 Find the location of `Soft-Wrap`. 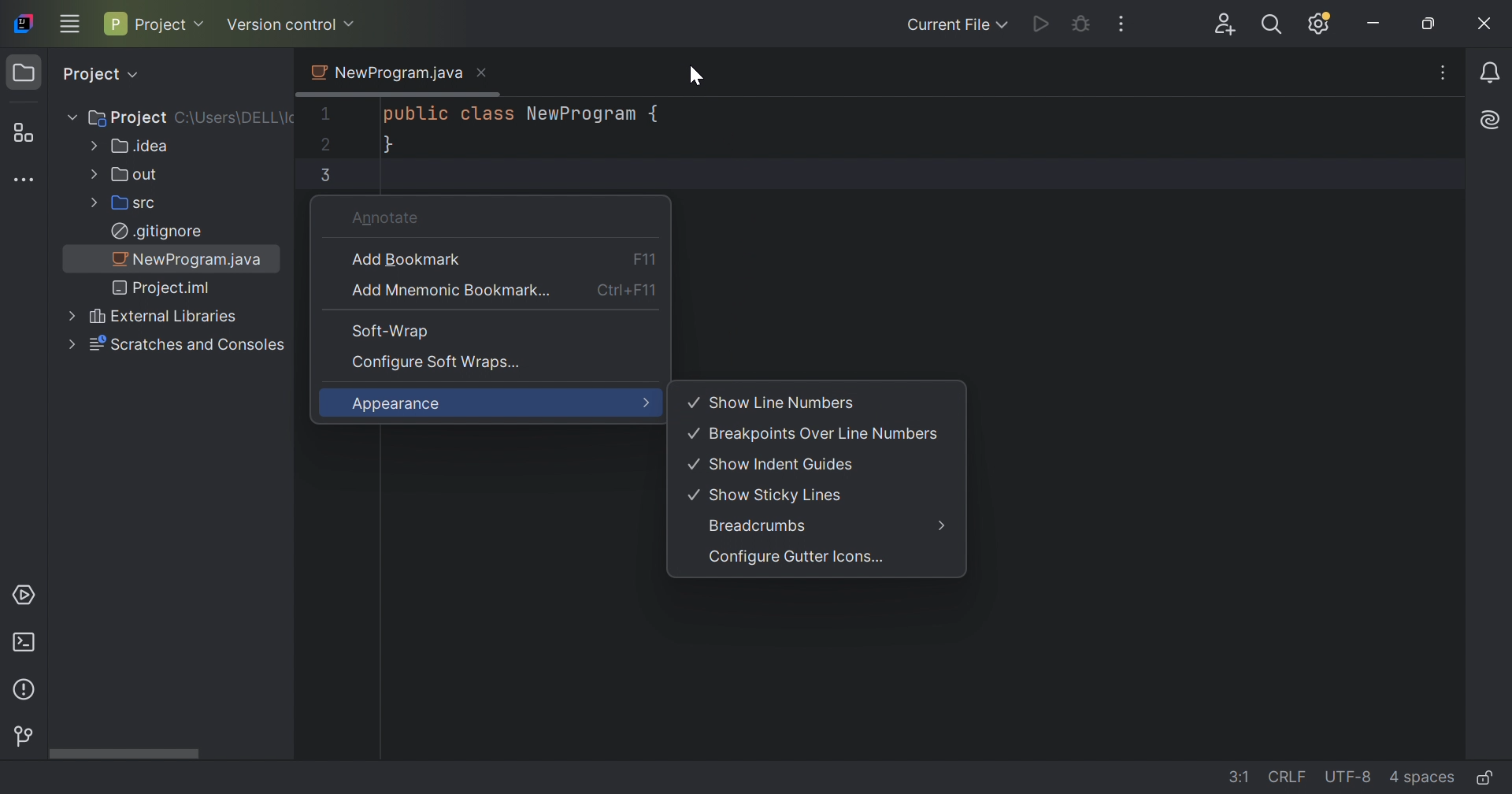

Soft-Wrap is located at coordinates (387, 331).